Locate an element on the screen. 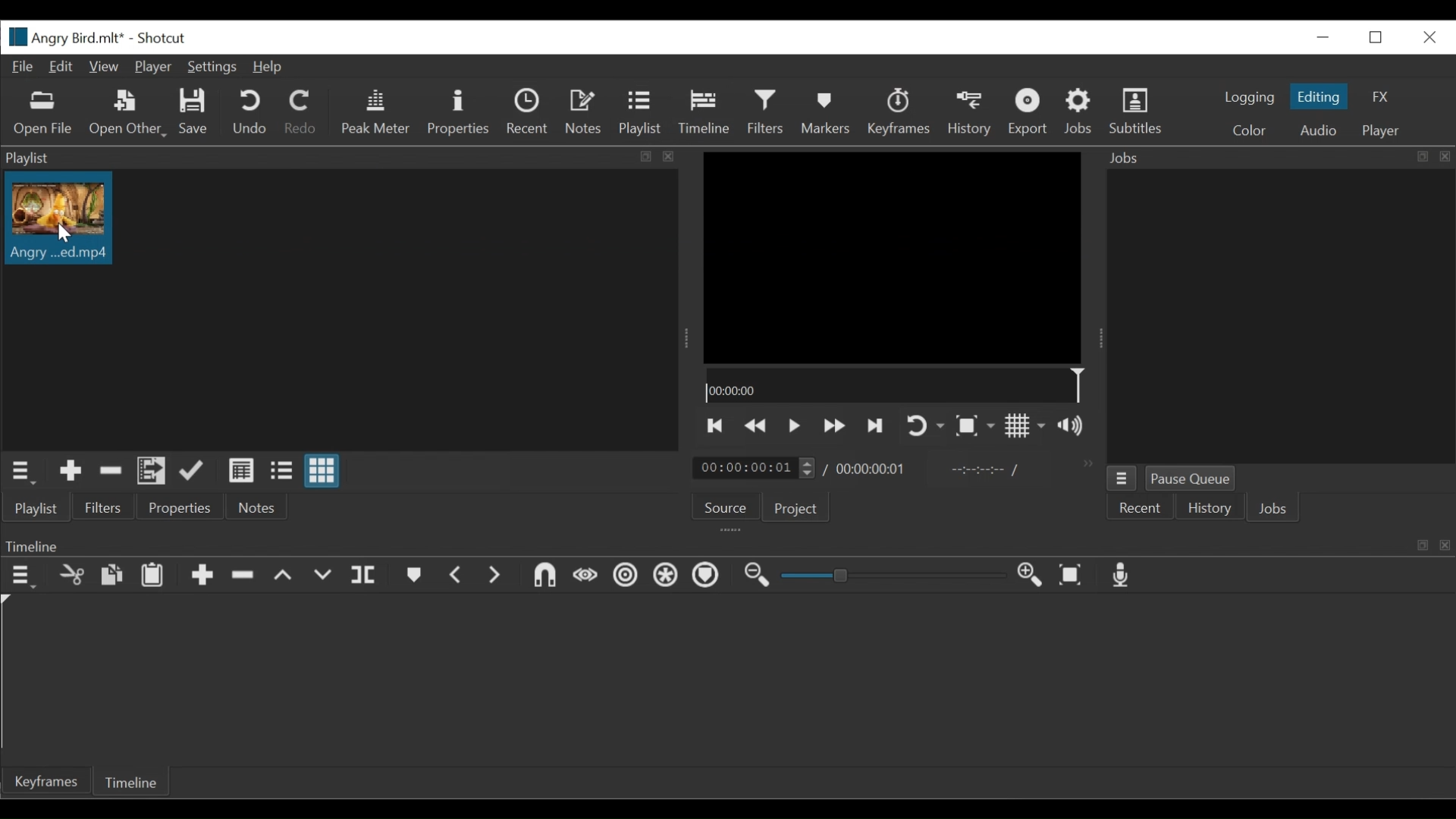  Jobs is located at coordinates (1273, 507).